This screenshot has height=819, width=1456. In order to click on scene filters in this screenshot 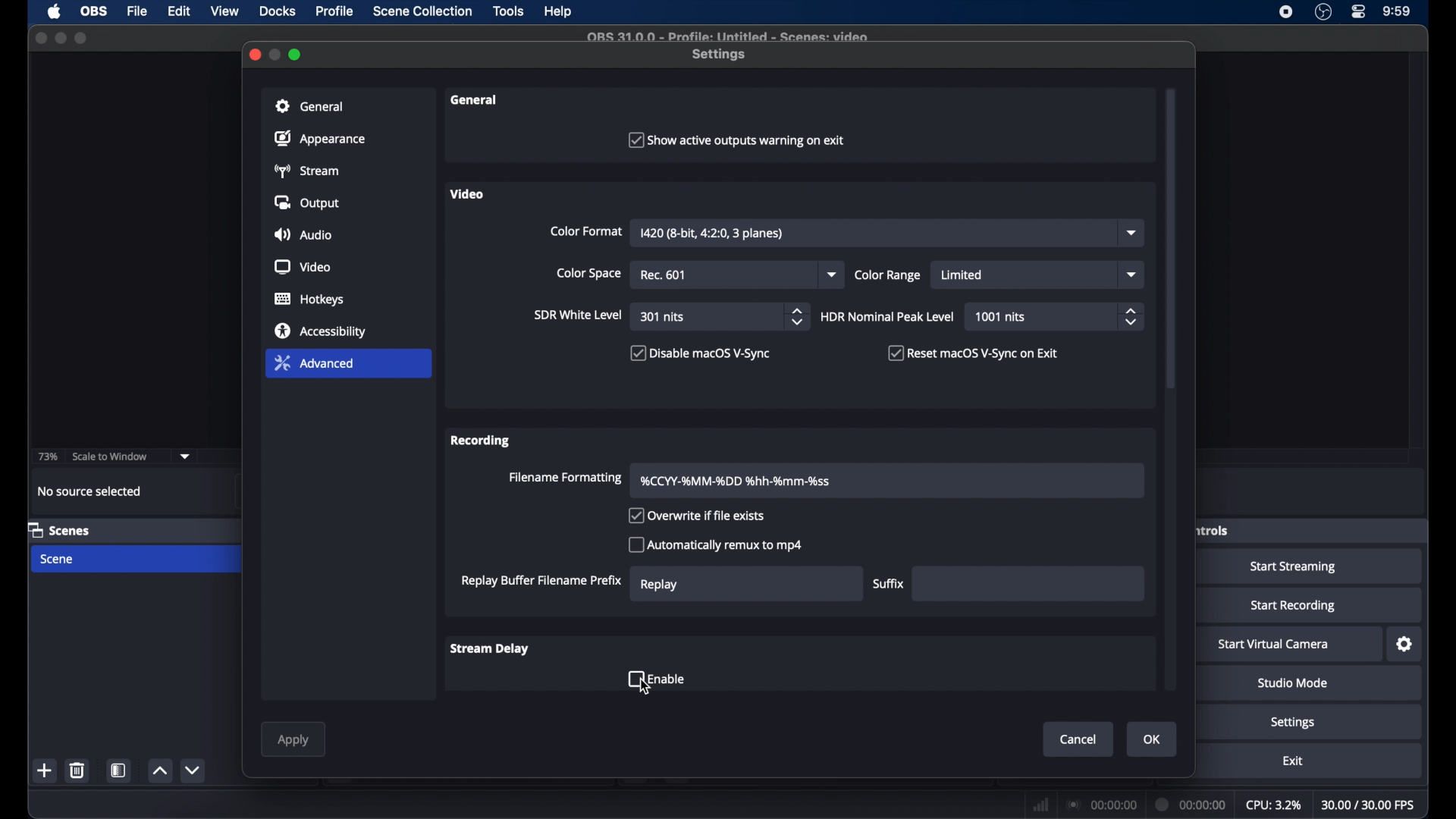, I will do `click(121, 770)`.